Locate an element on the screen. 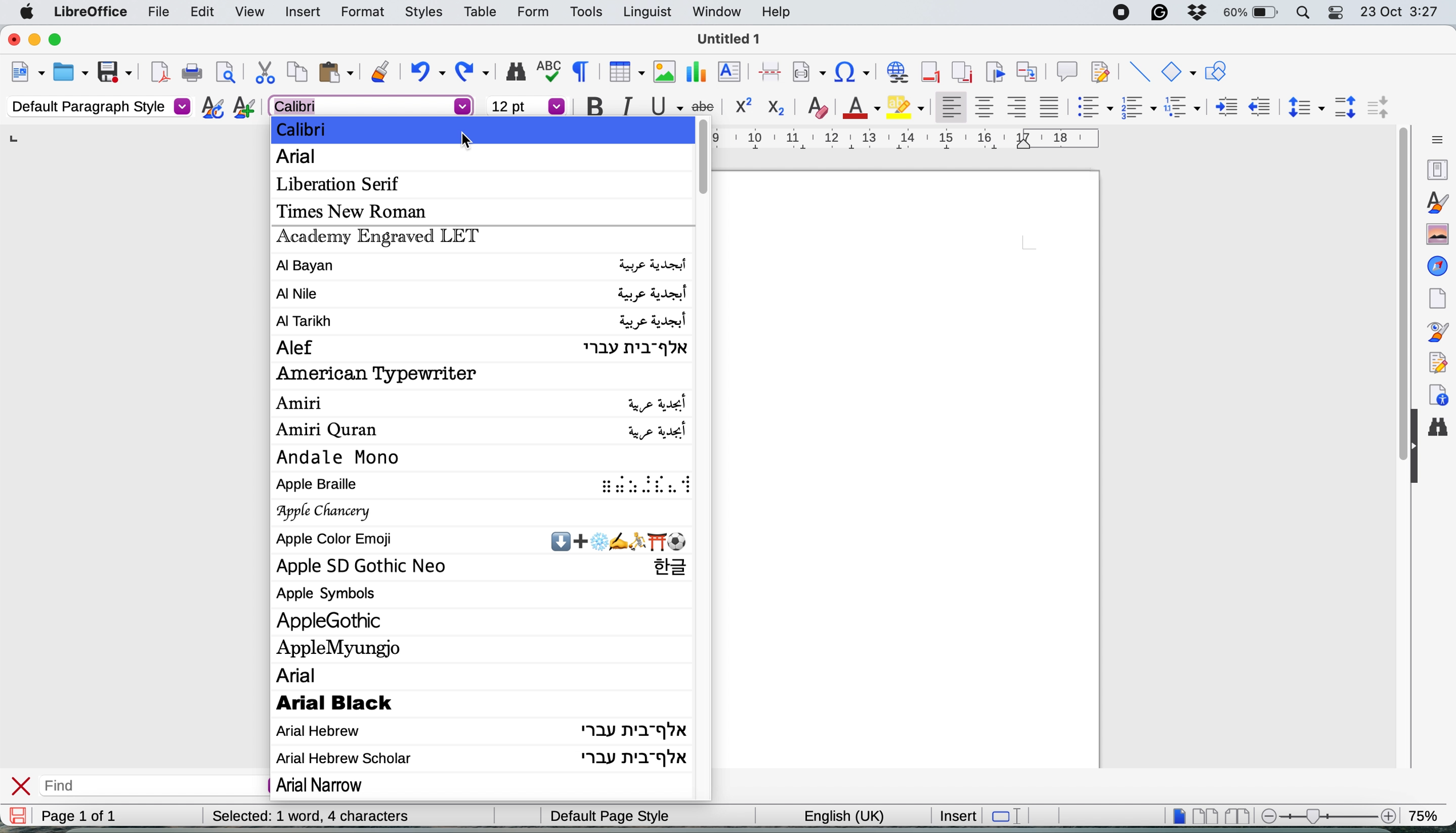  increase paragraph spacing is located at coordinates (1347, 106).